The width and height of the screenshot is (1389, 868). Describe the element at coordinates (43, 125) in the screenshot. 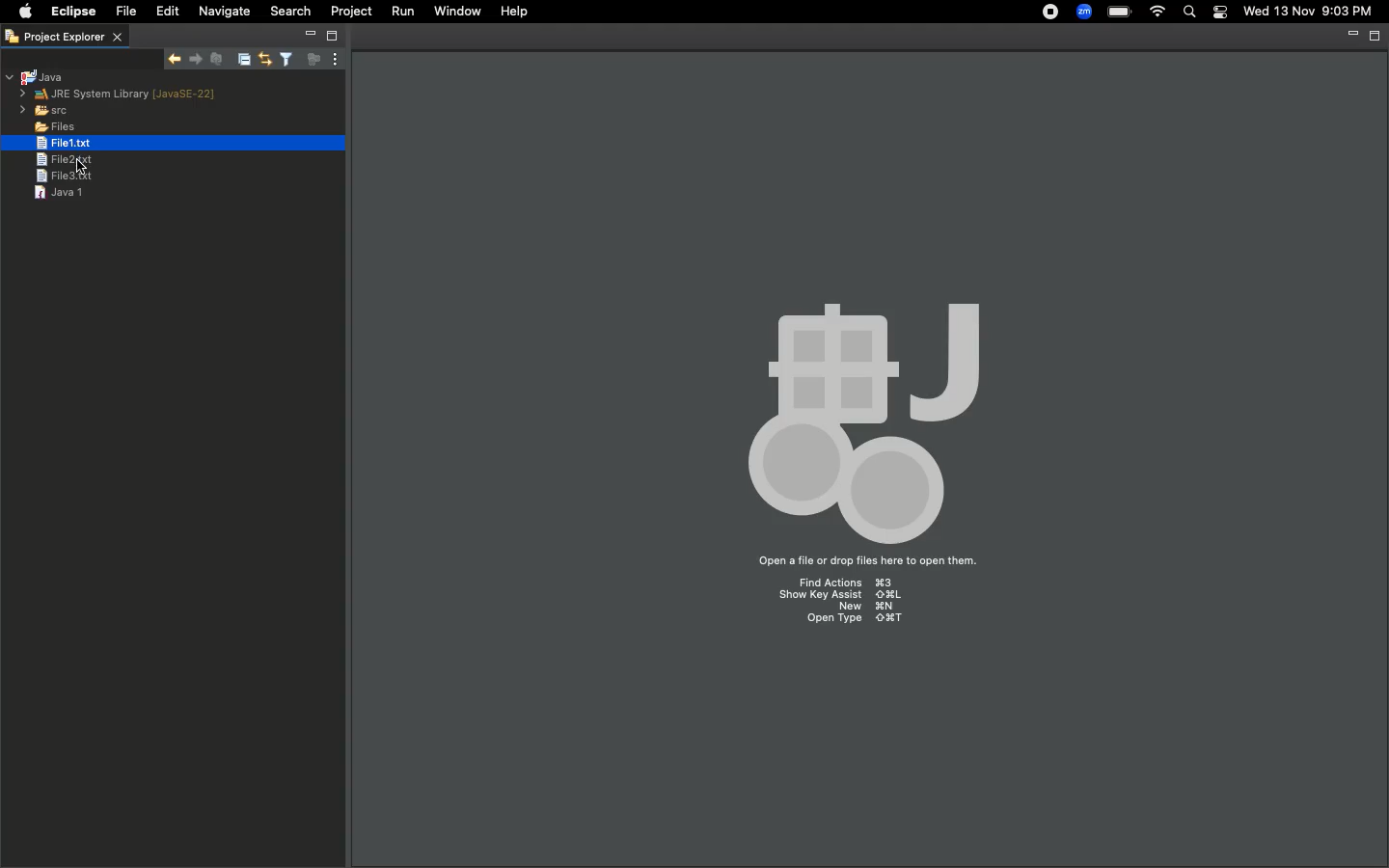

I see `Files` at that location.